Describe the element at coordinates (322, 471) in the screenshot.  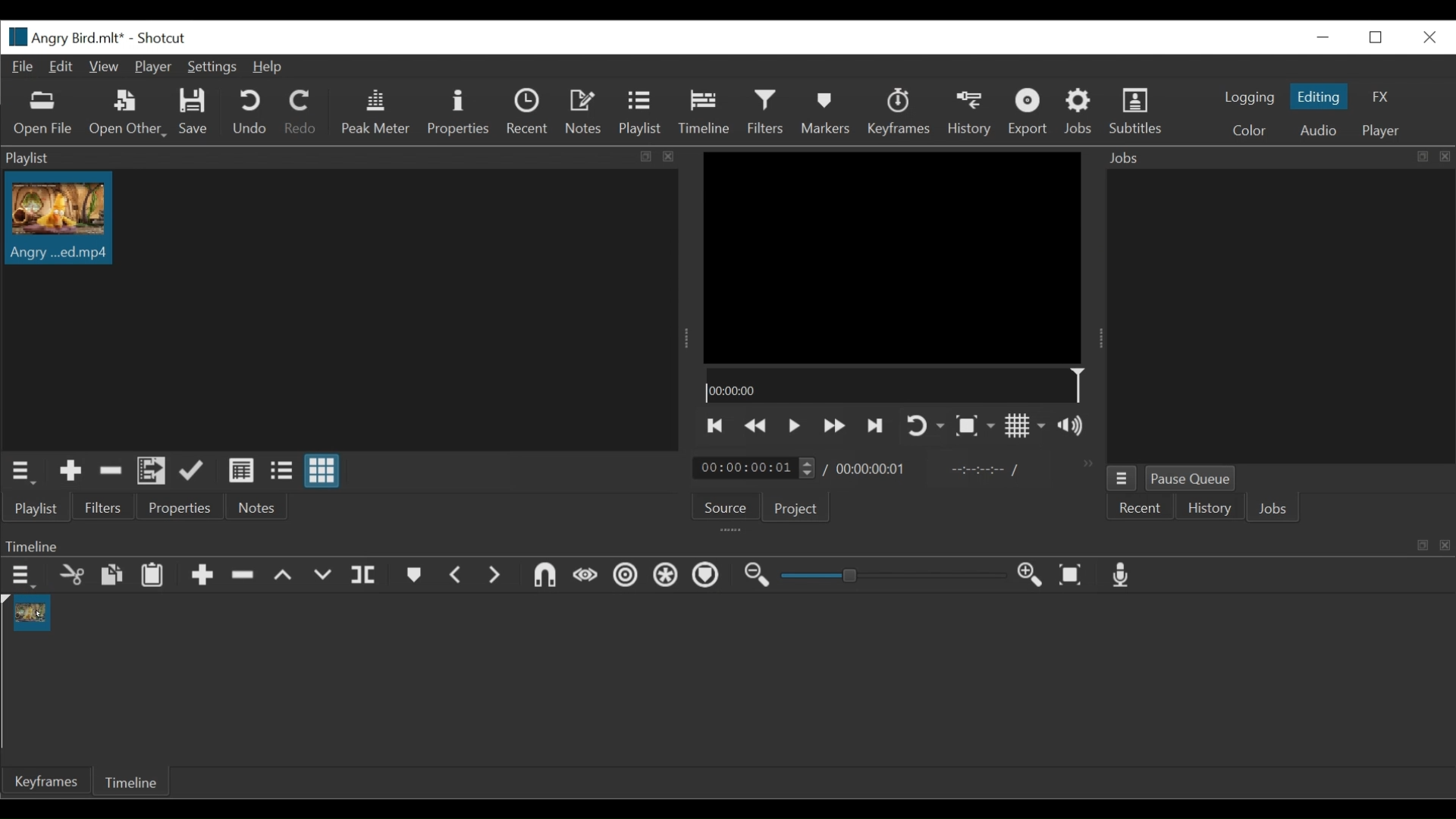
I see `View as icon` at that location.